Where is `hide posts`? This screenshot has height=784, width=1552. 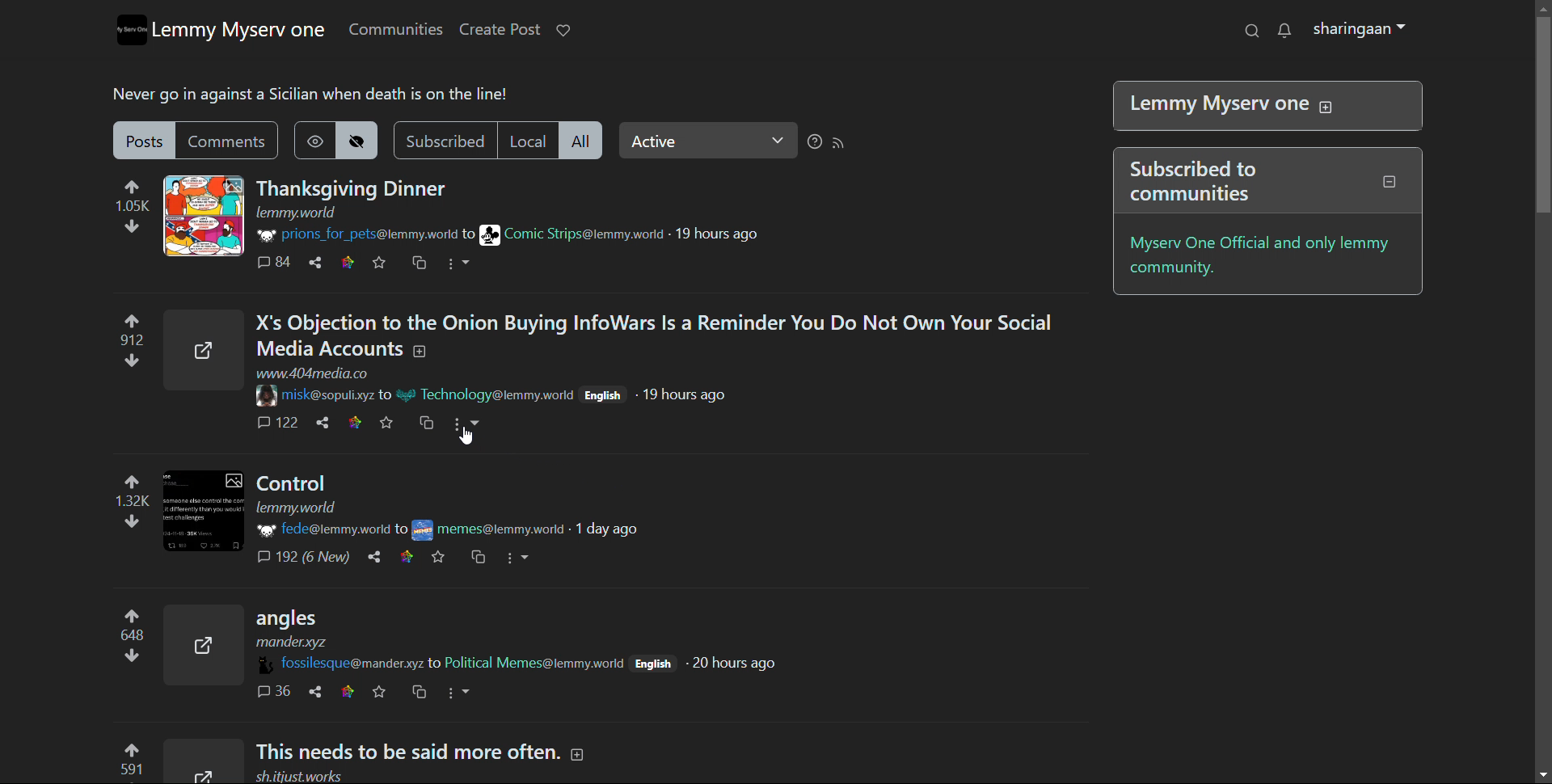 hide posts is located at coordinates (360, 141).